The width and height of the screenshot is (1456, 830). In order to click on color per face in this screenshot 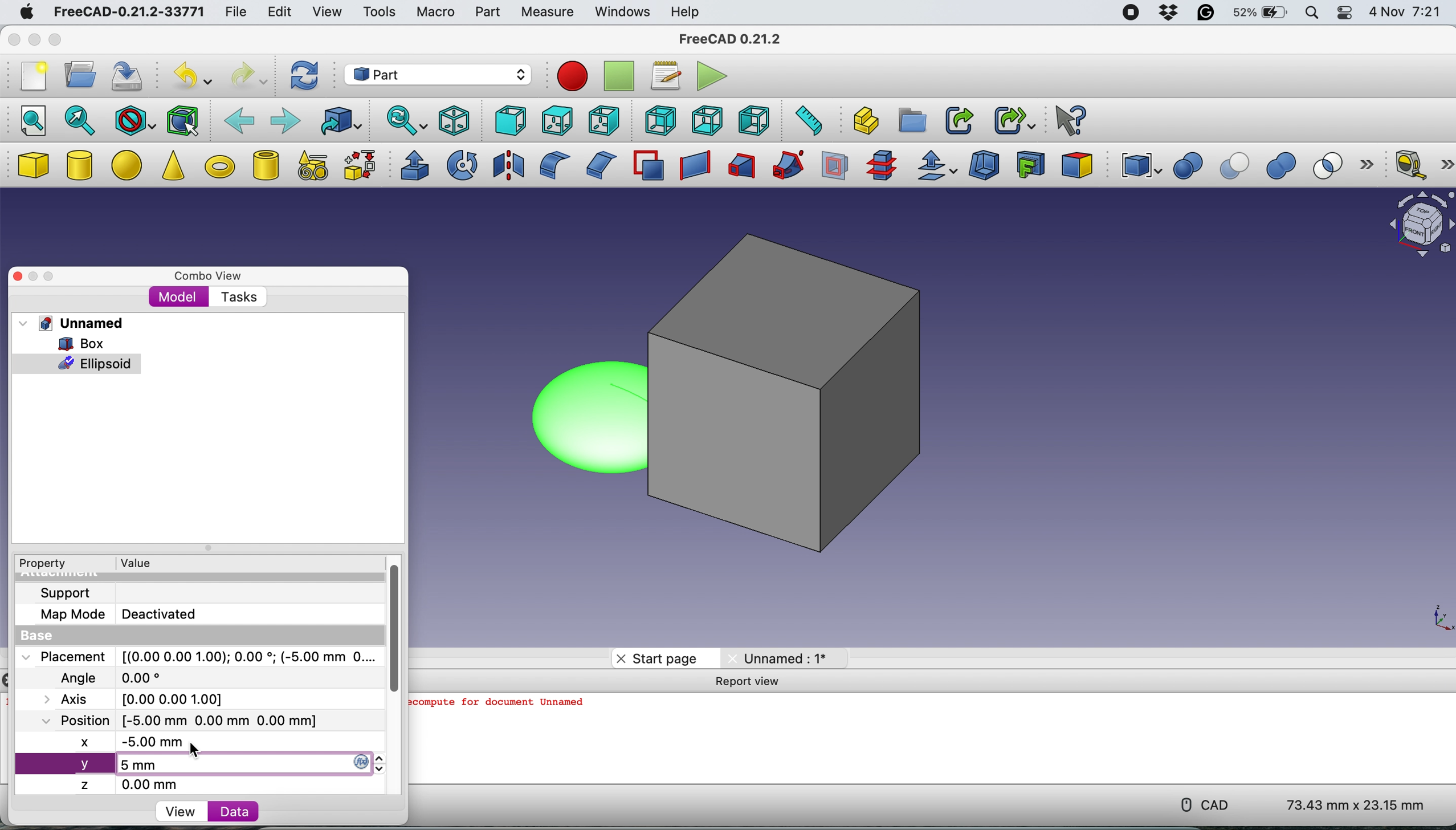, I will do `click(1078, 164)`.